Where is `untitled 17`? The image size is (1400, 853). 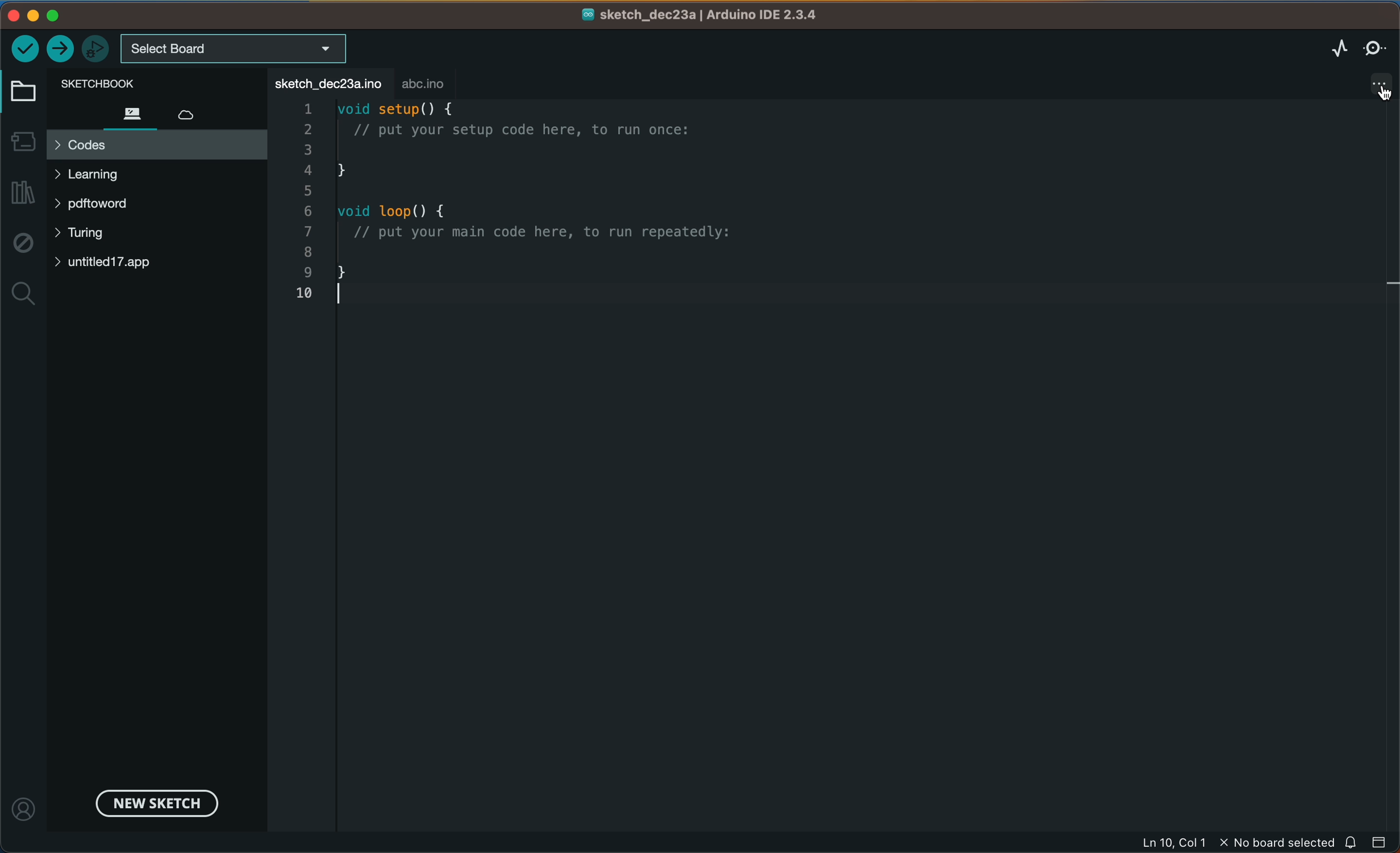 untitled 17 is located at coordinates (148, 265).